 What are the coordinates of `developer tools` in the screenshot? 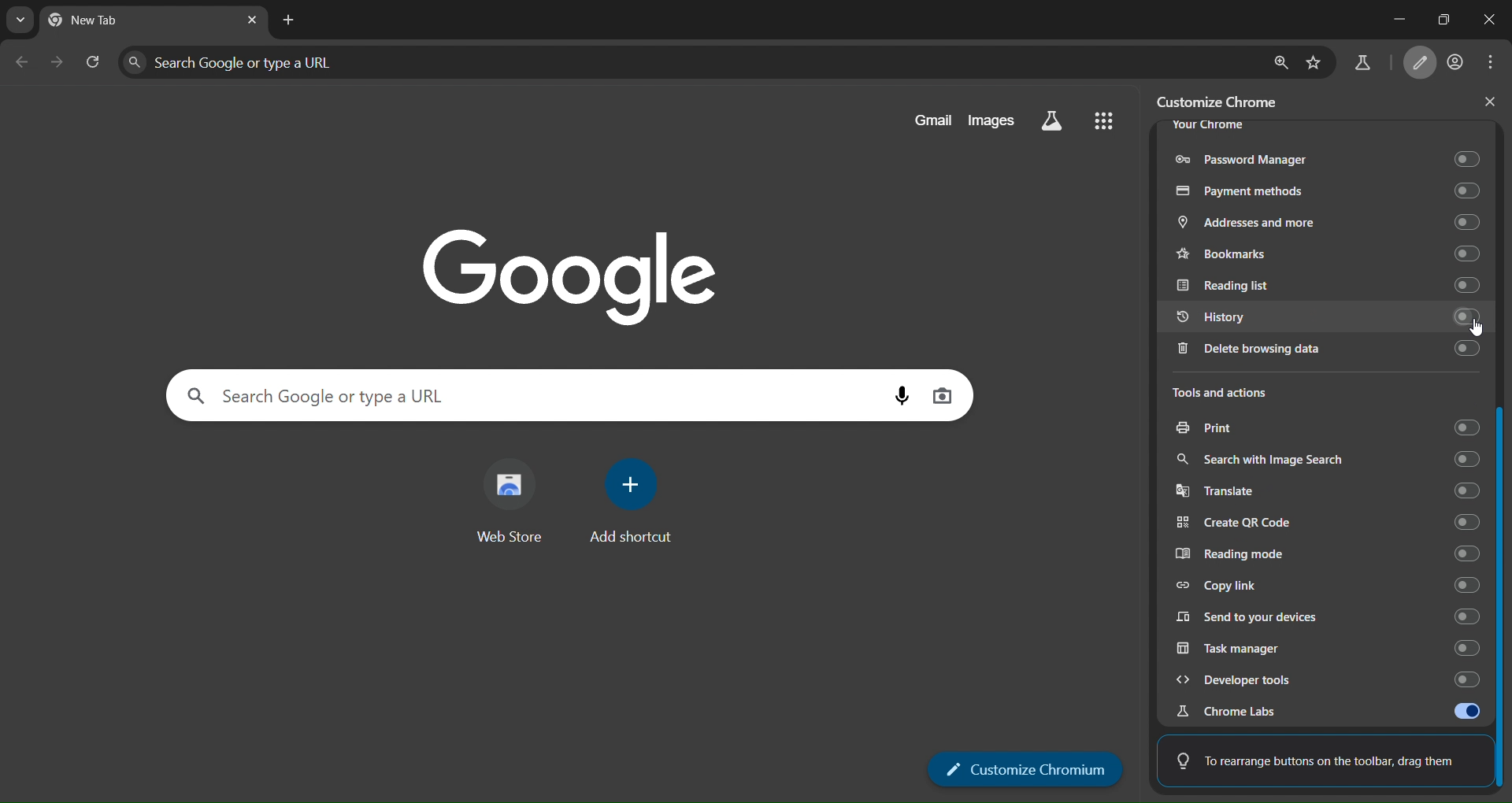 It's located at (1320, 679).